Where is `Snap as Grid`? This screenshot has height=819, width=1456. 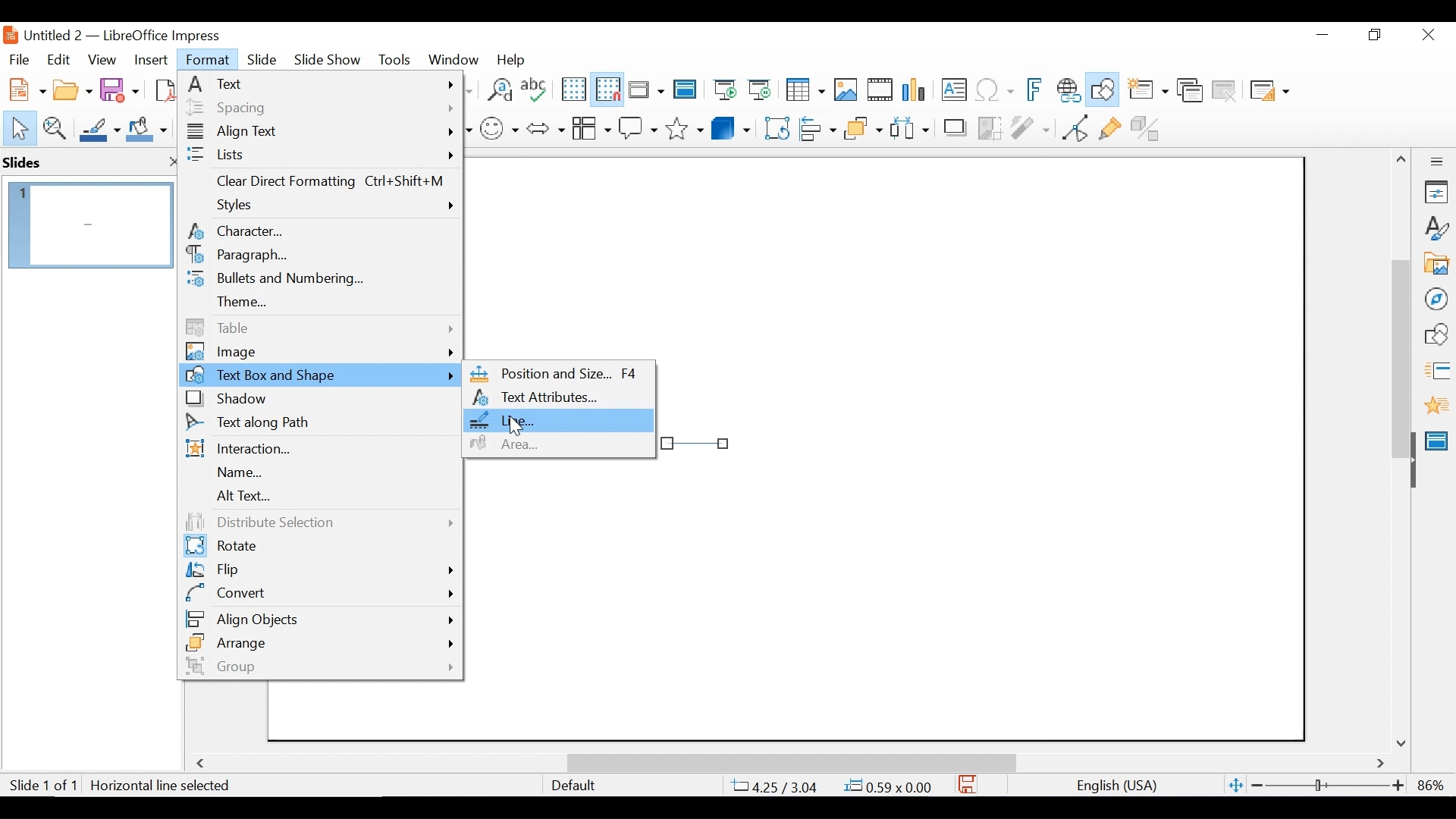 Snap as Grid is located at coordinates (607, 89).